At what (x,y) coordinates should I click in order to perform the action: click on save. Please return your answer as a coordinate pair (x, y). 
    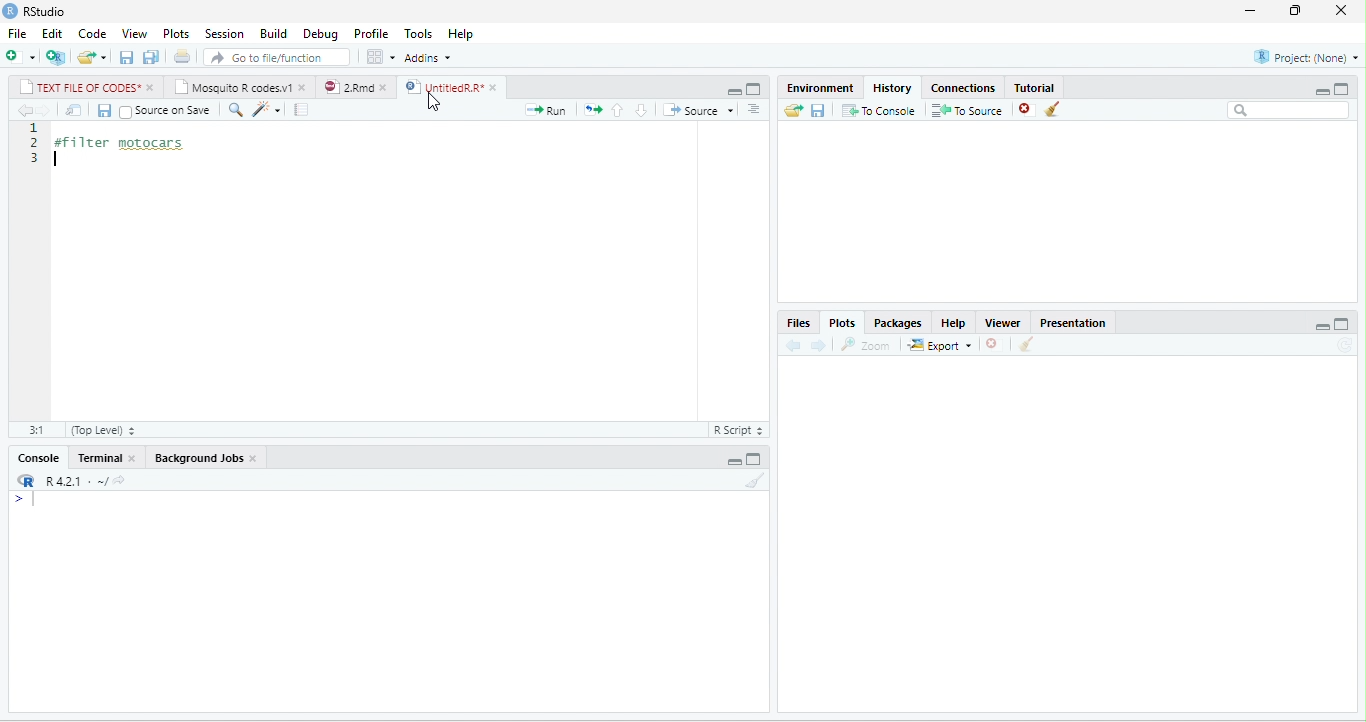
    Looking at the image, I should click on (817, 111).